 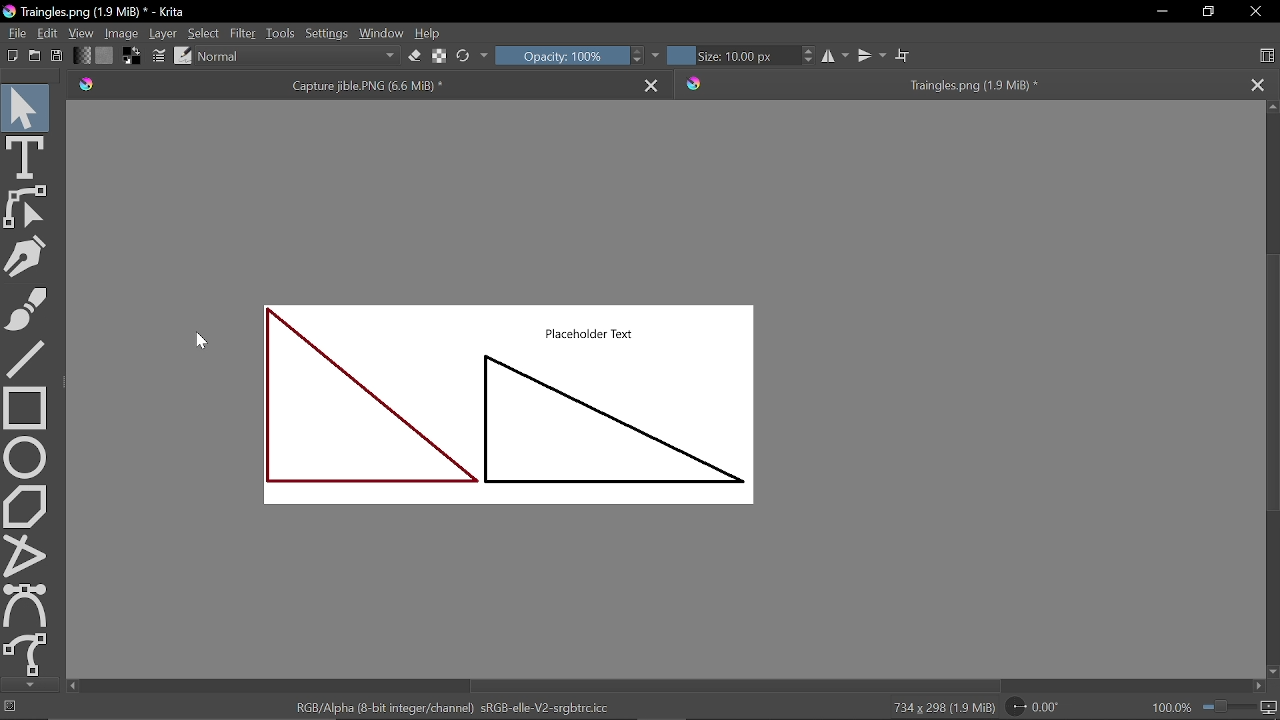 I want to click on Move down tools, so click(x=27, y=684).